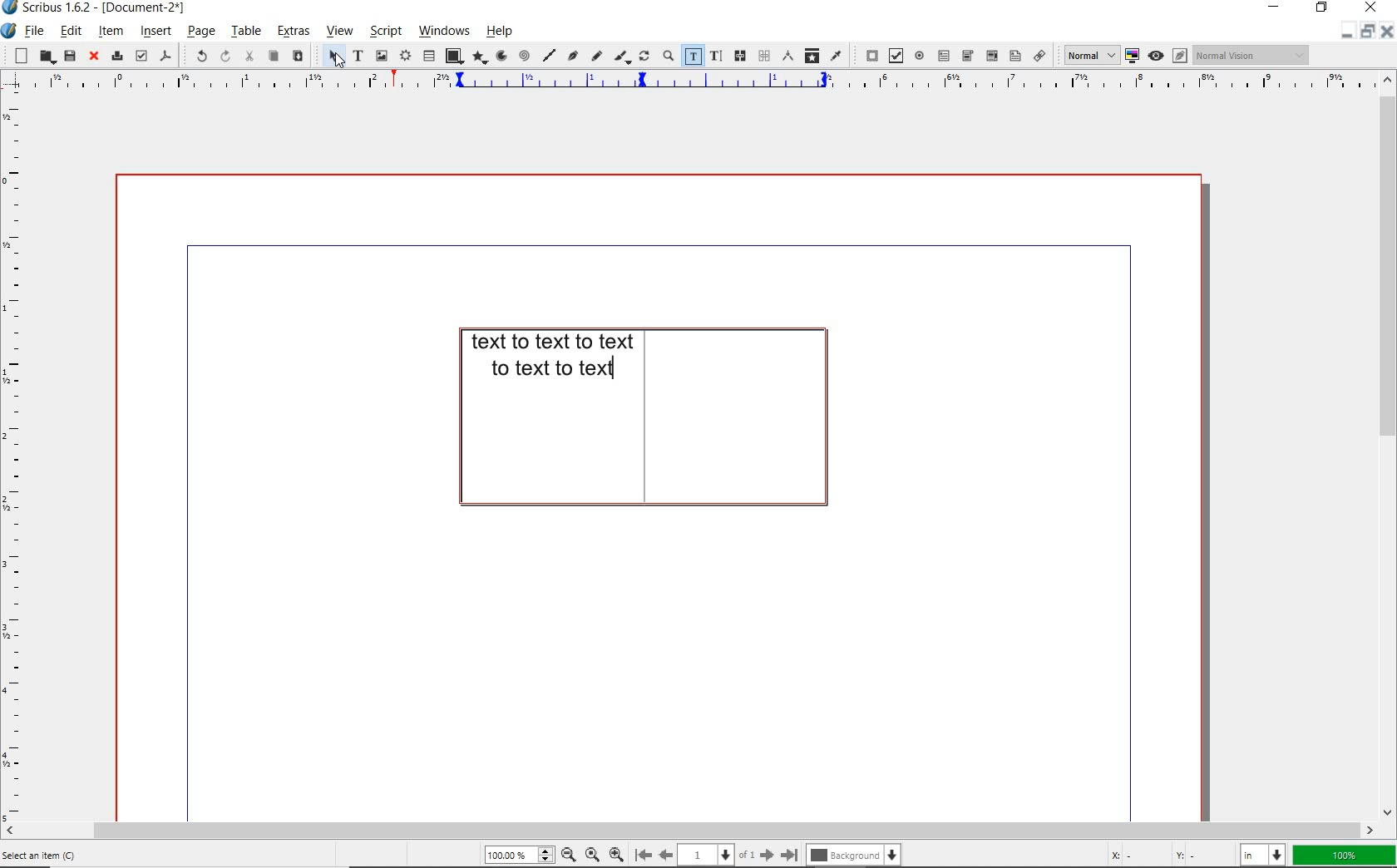 This screenshot has height=868, width=1397. I want to click on of 1, so click(748, 853).